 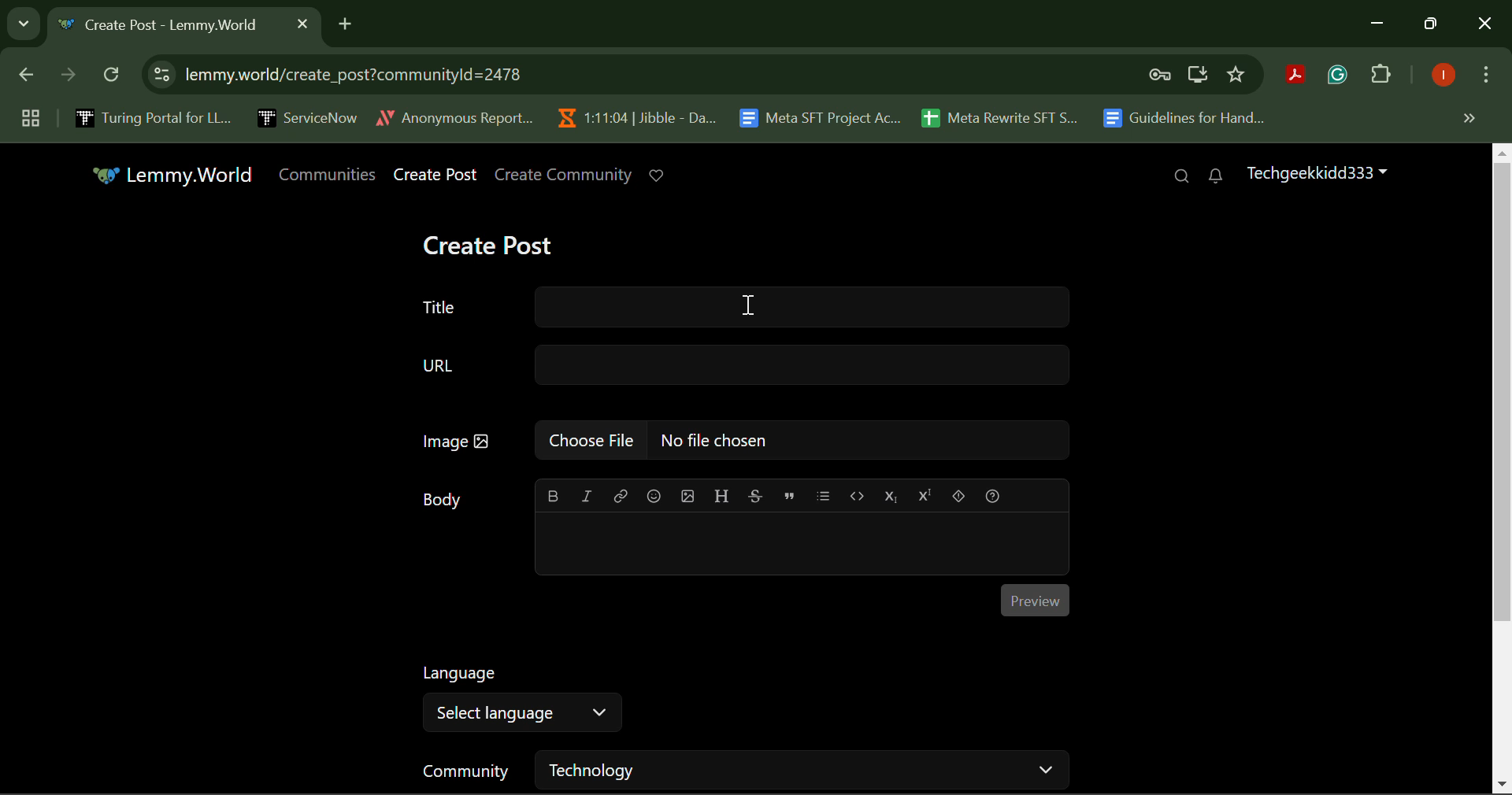 I want to click on Preview Button, so click(x=1035, y=600).